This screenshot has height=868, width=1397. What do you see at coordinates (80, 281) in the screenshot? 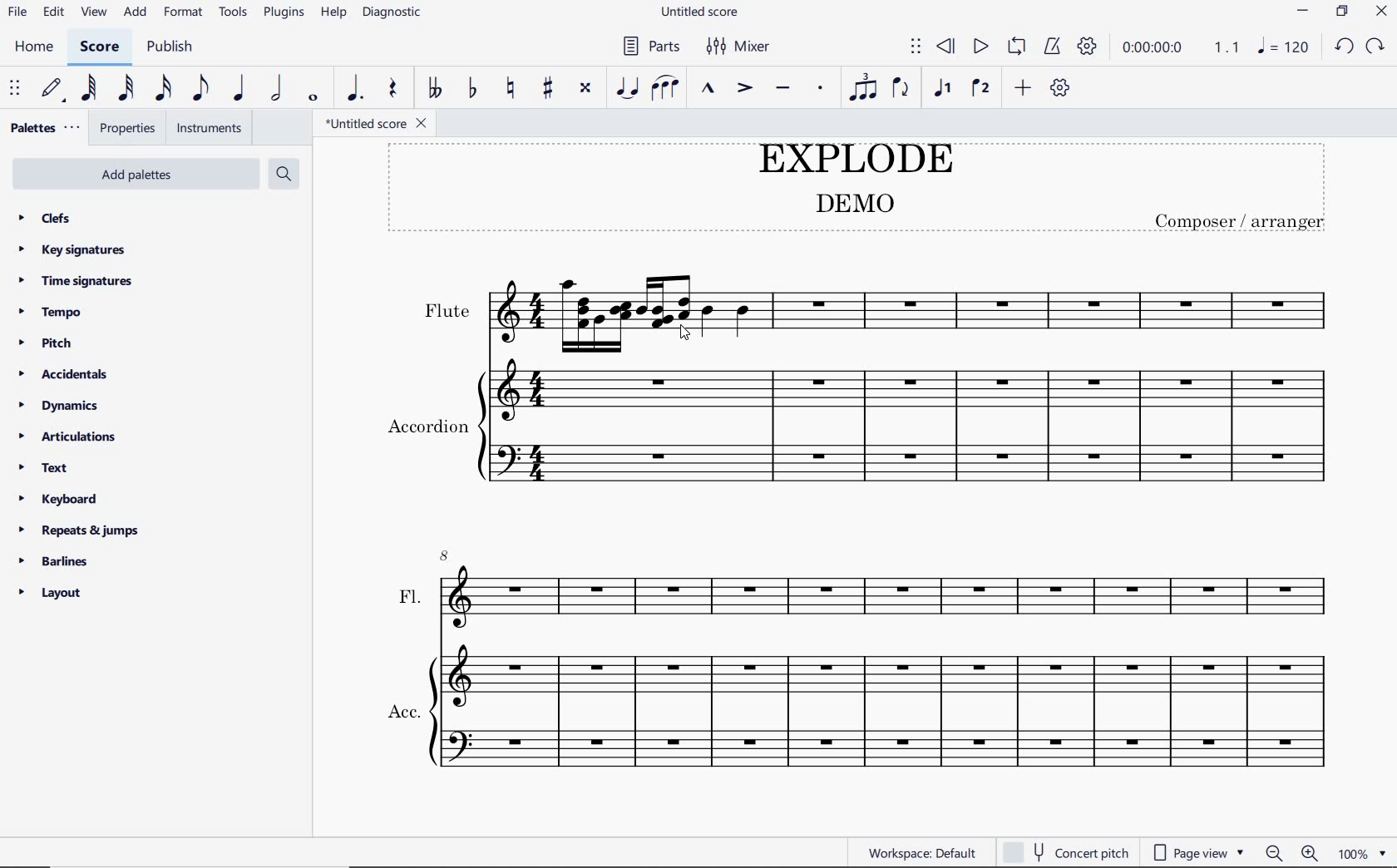
I see `time signatures` at bounding box center [80, 281].